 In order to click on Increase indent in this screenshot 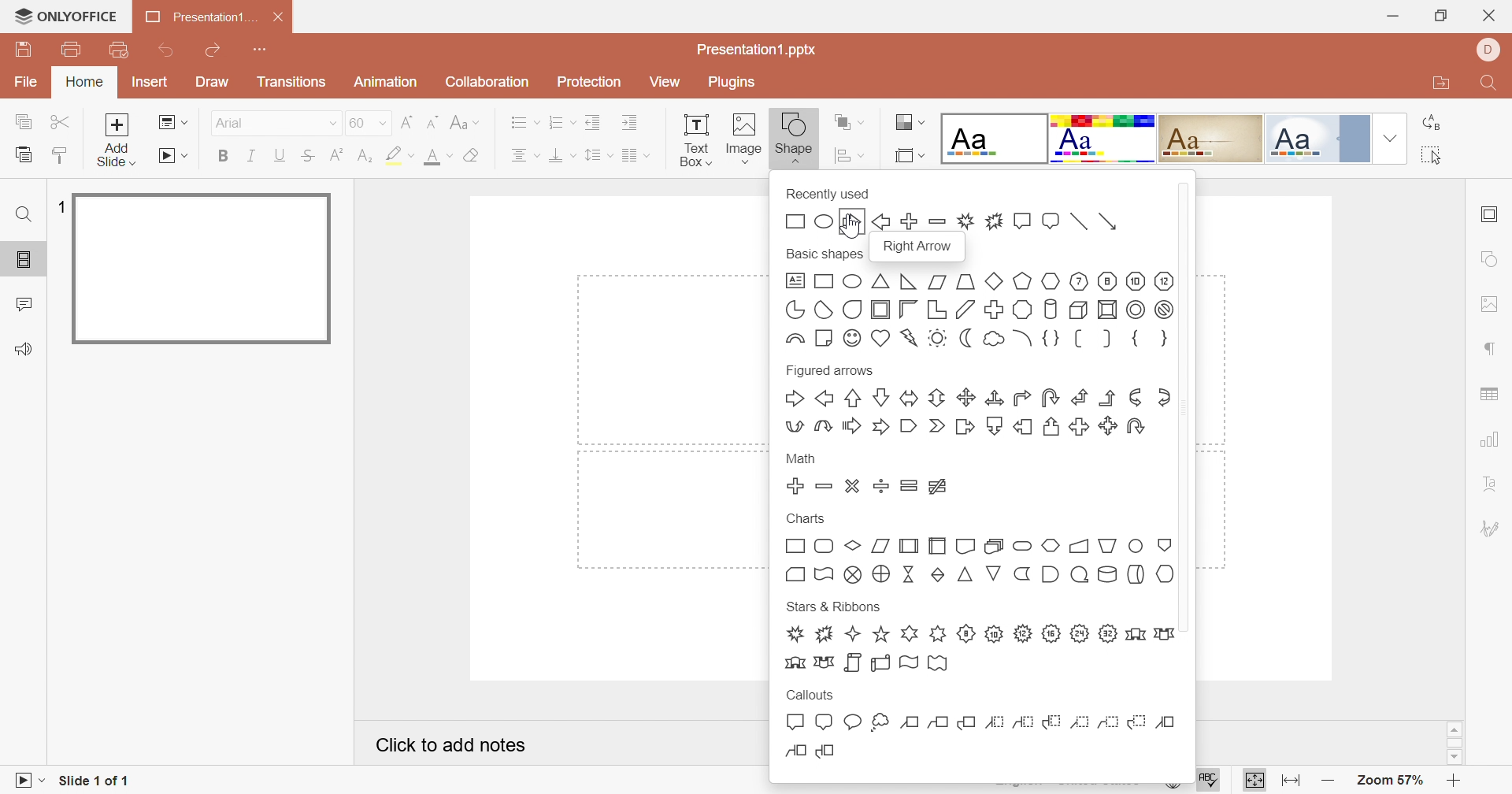, I will do `click(631, 121)`.